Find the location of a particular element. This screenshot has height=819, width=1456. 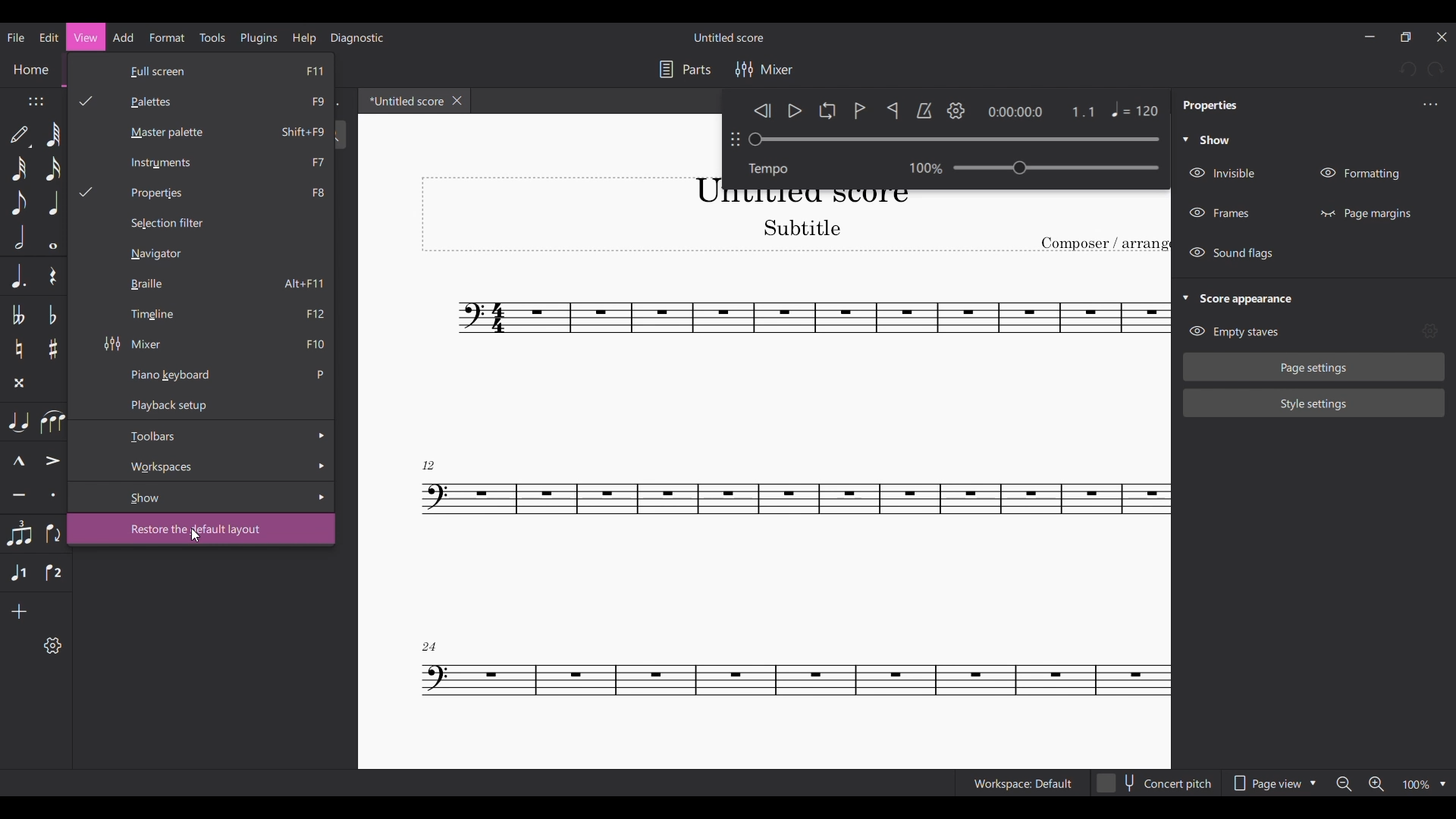

Tupplet is located at coordinates (19, 534).